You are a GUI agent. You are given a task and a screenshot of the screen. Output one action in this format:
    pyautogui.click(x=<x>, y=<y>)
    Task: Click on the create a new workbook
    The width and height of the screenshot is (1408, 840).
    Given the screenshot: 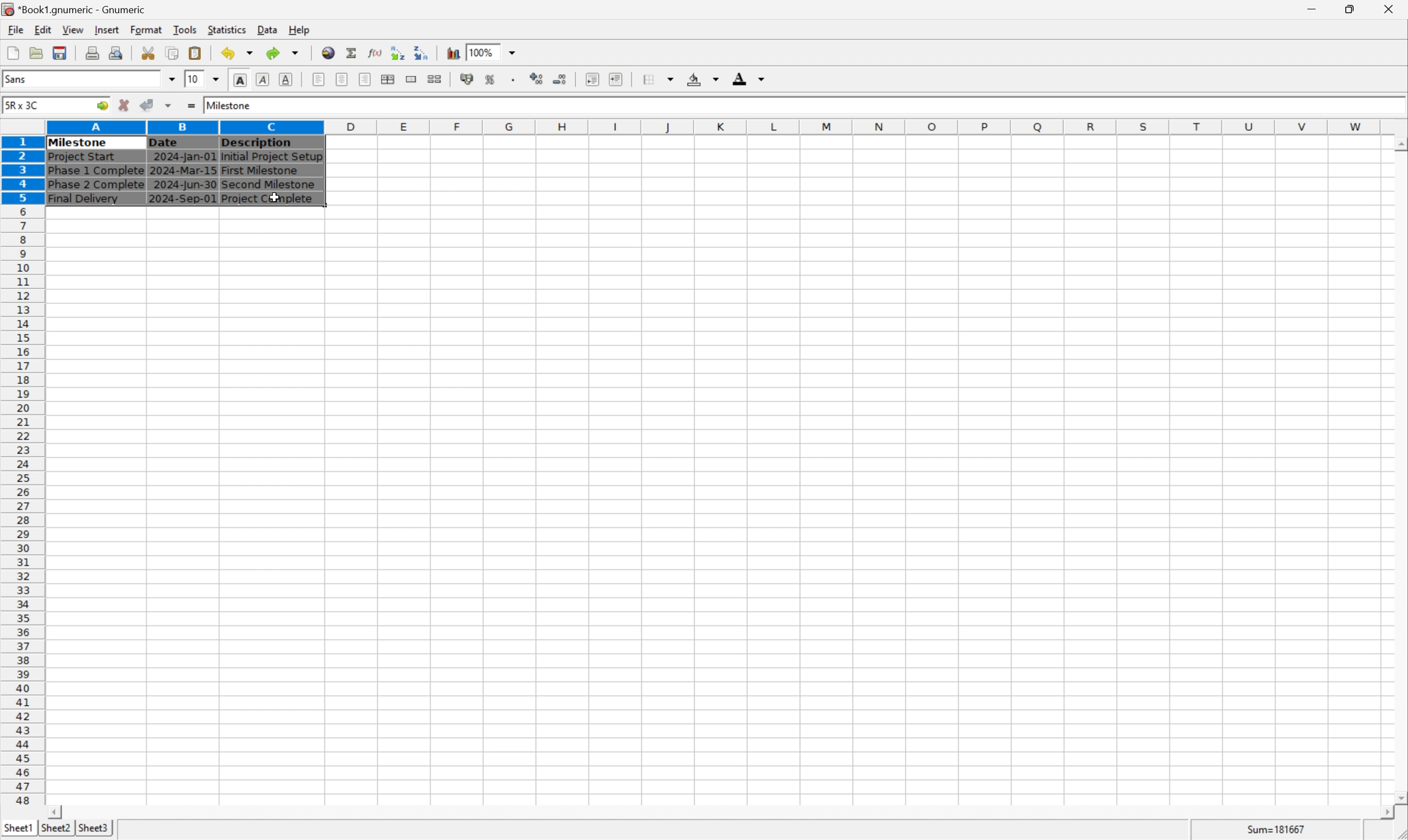 What is the action you would take?
    pyautogui.click(x=12, y=54)
    